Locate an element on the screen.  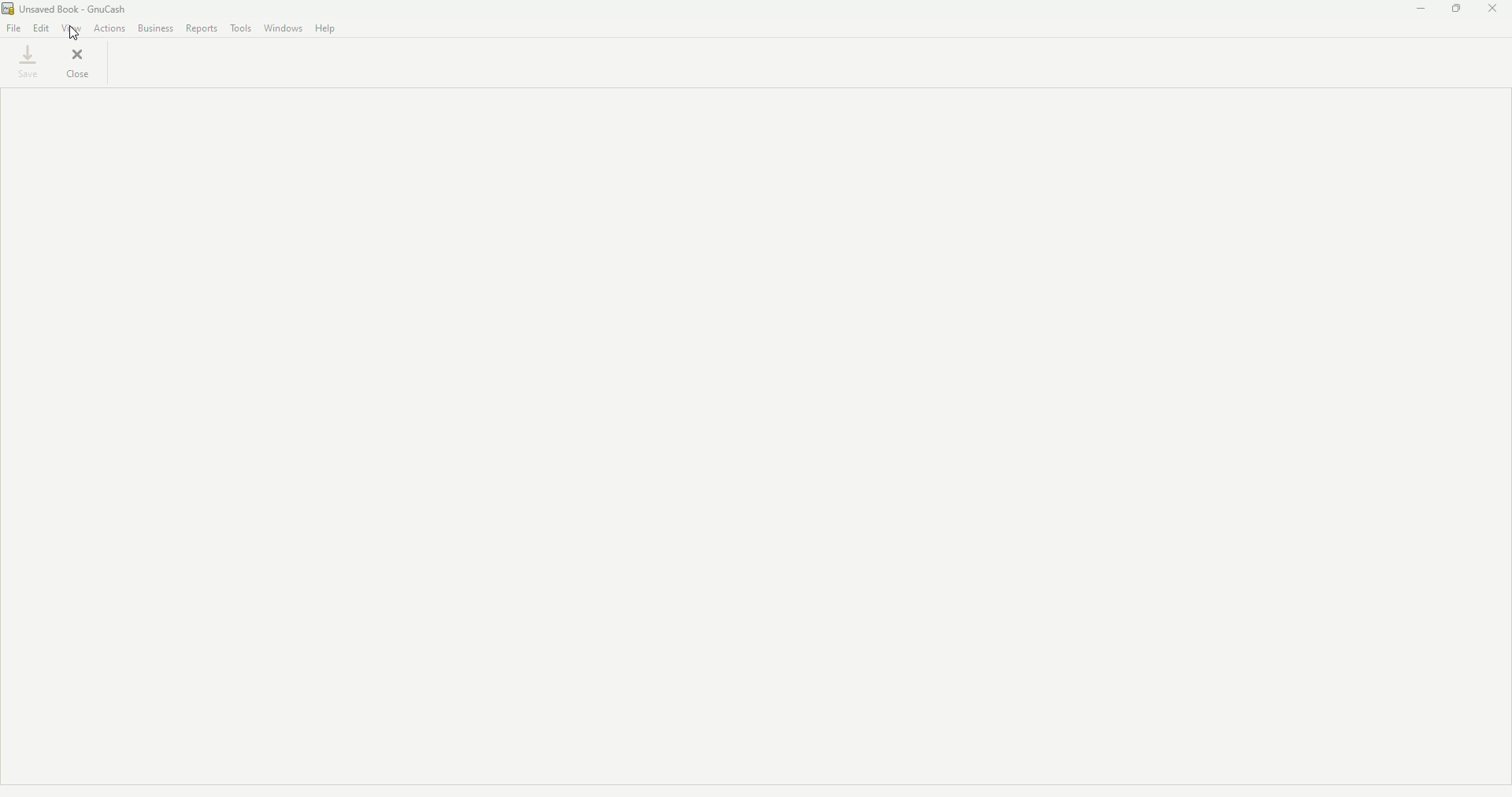
Restore is located at coordinates (1457, 9).